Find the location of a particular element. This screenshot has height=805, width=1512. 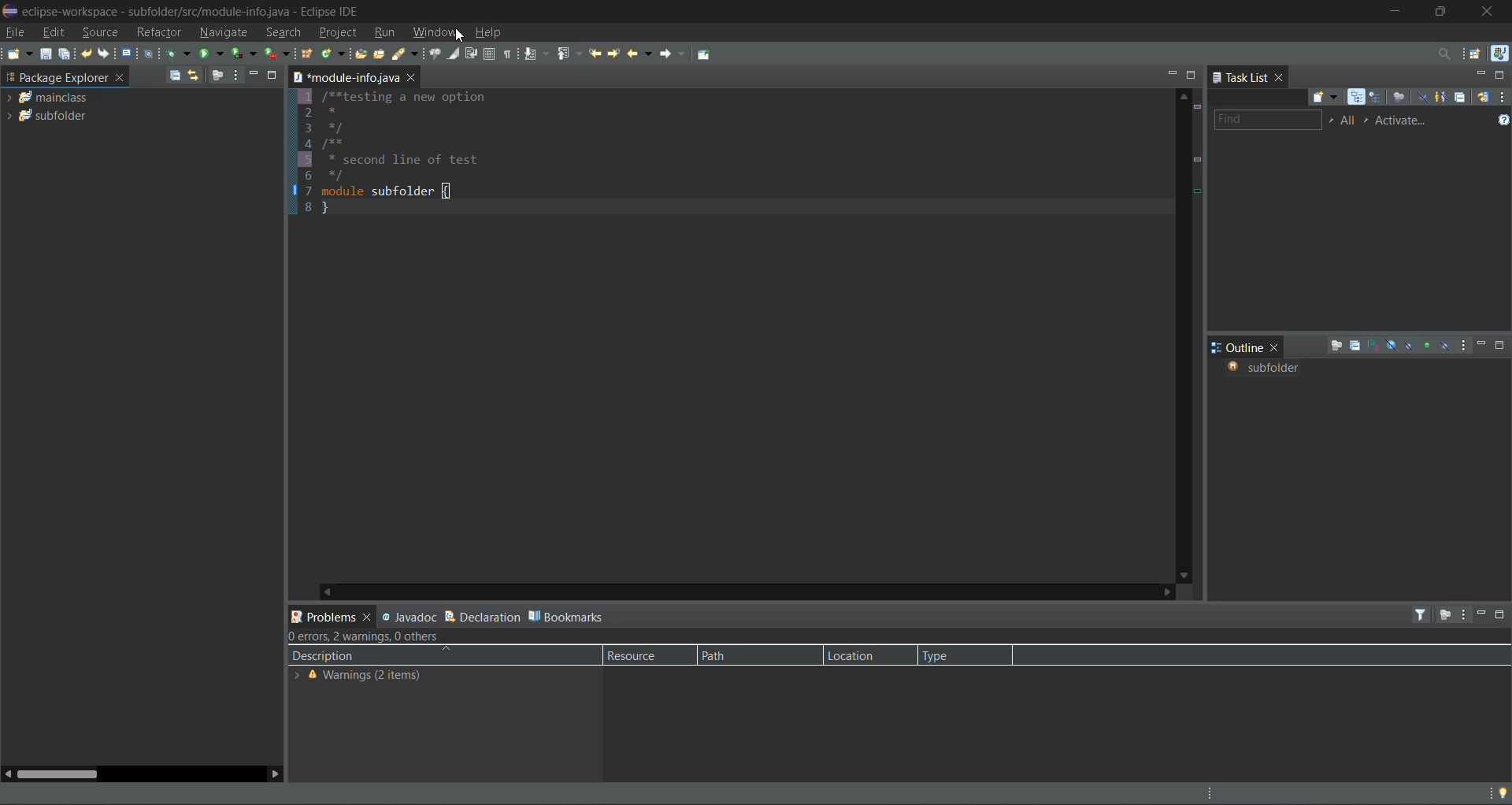

maximize is located at coordinates (1442, 14).